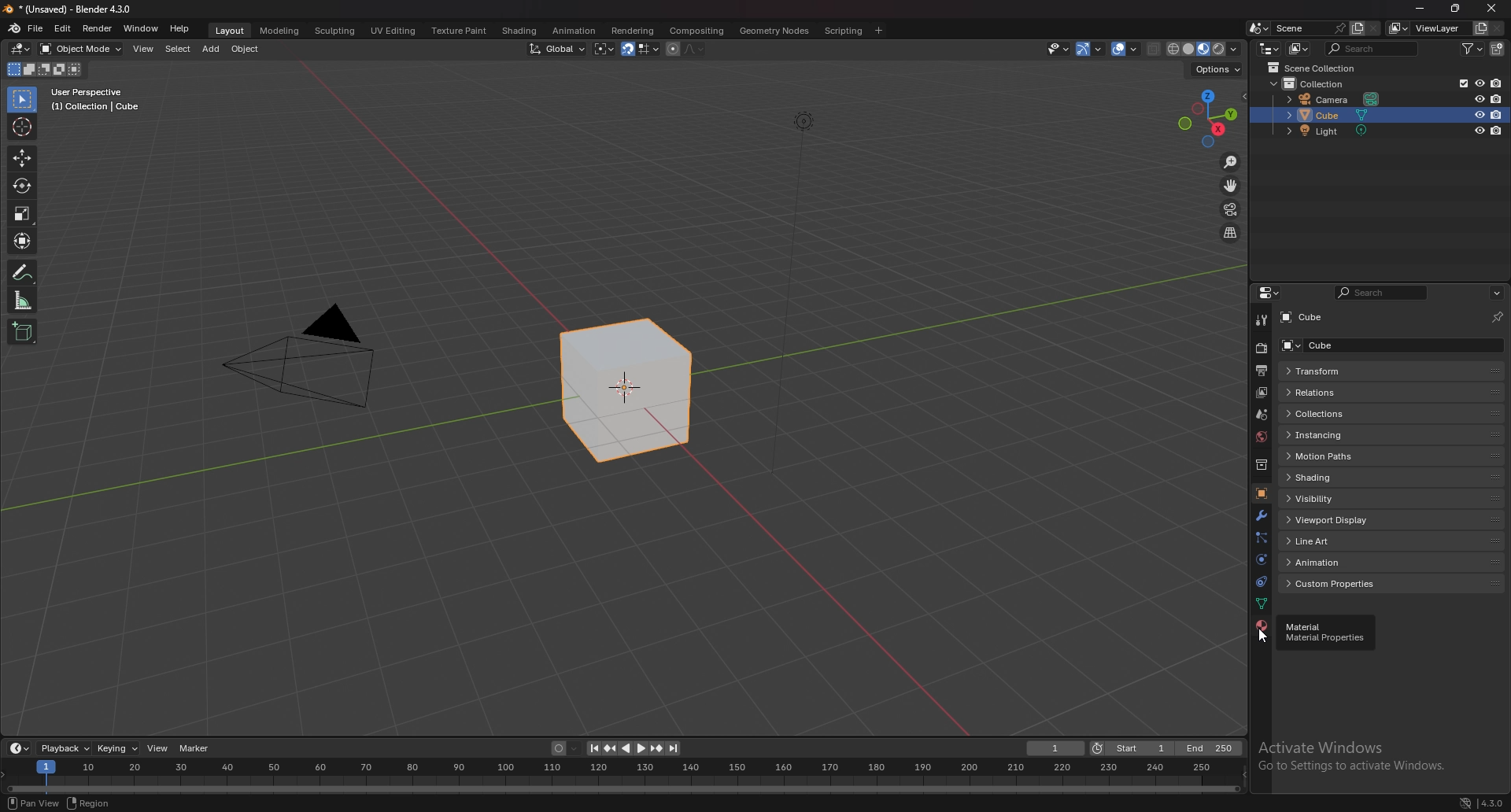 Image resolution: width=1511 pixels, height=812 pixels. I want to click on add workspace, so click(878, 30).